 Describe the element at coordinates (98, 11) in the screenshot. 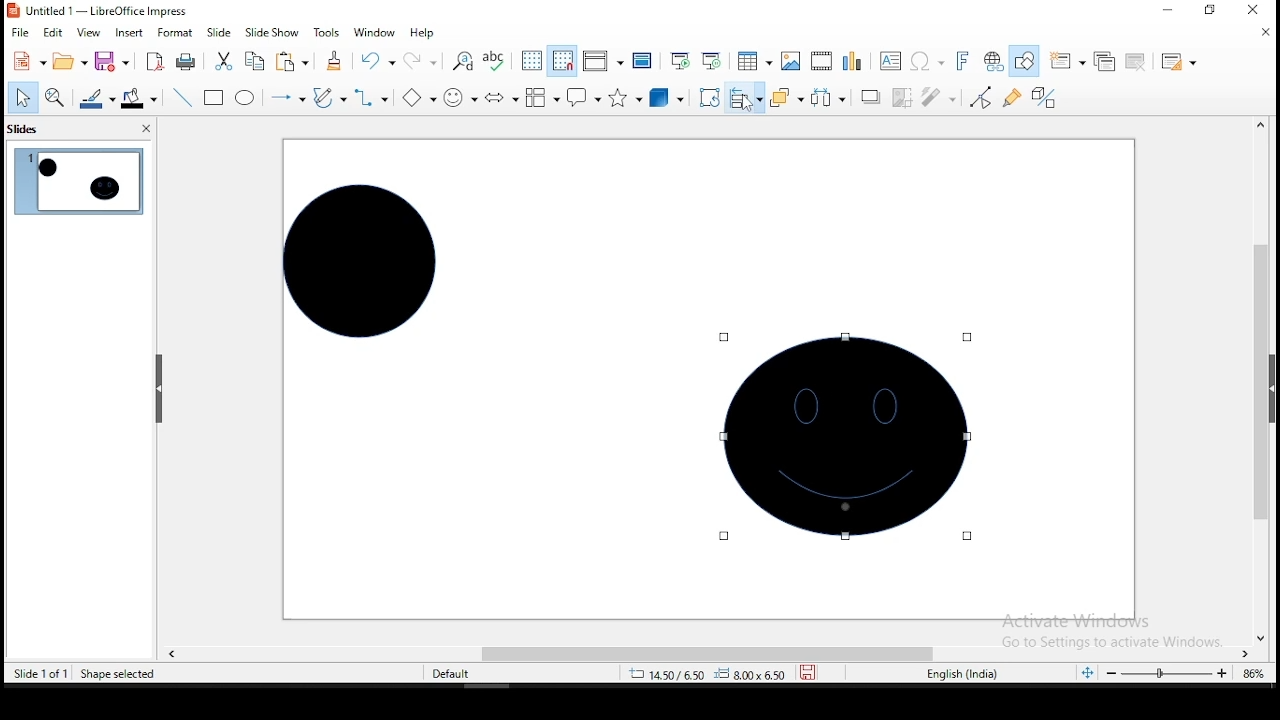

I see `icon and filename` at that location.